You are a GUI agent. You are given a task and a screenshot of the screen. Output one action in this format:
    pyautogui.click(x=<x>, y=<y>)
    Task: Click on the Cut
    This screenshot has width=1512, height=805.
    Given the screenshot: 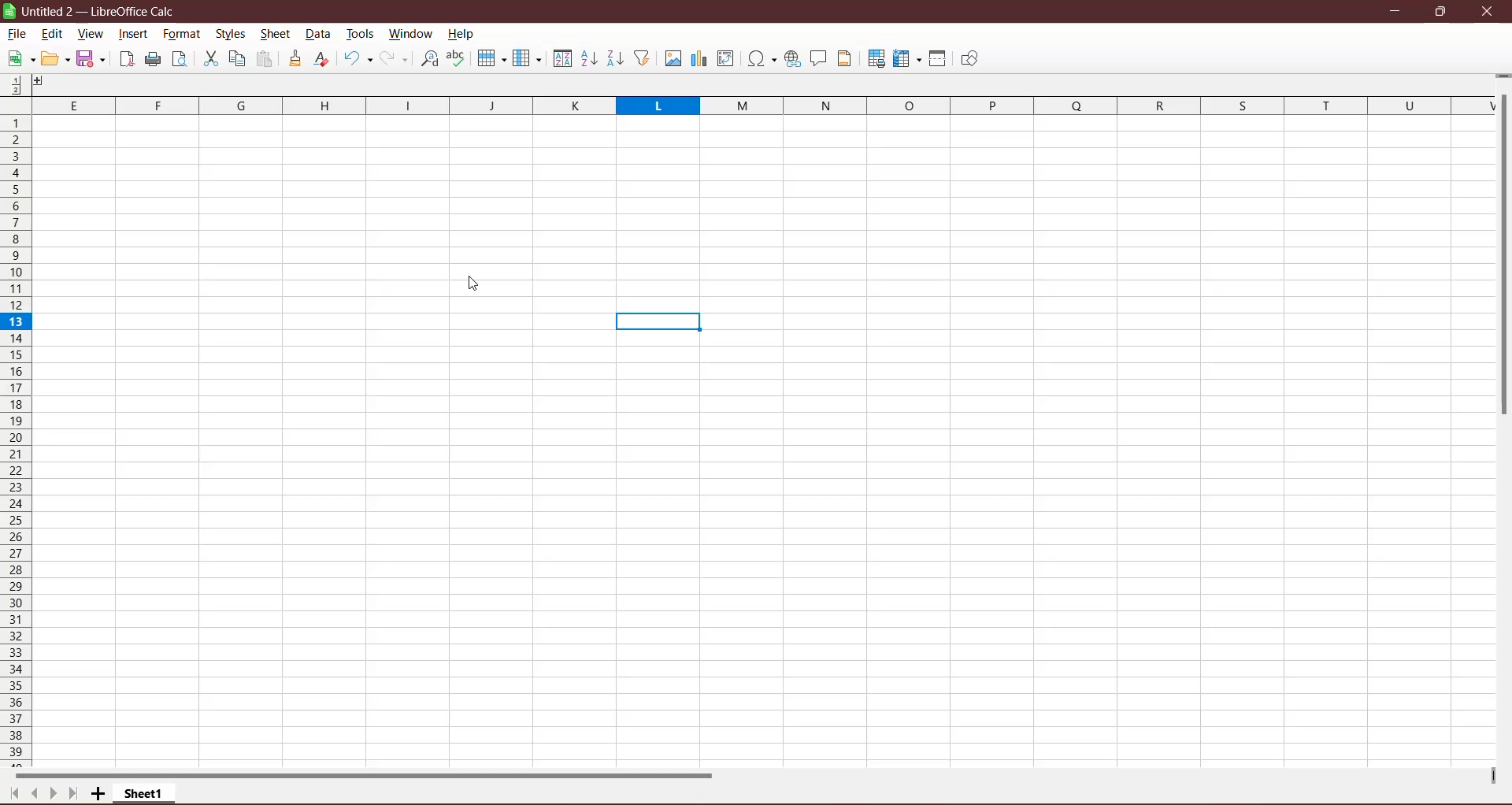 What is the action you would take?
    pyautogui.click(x=209, y=59)
    